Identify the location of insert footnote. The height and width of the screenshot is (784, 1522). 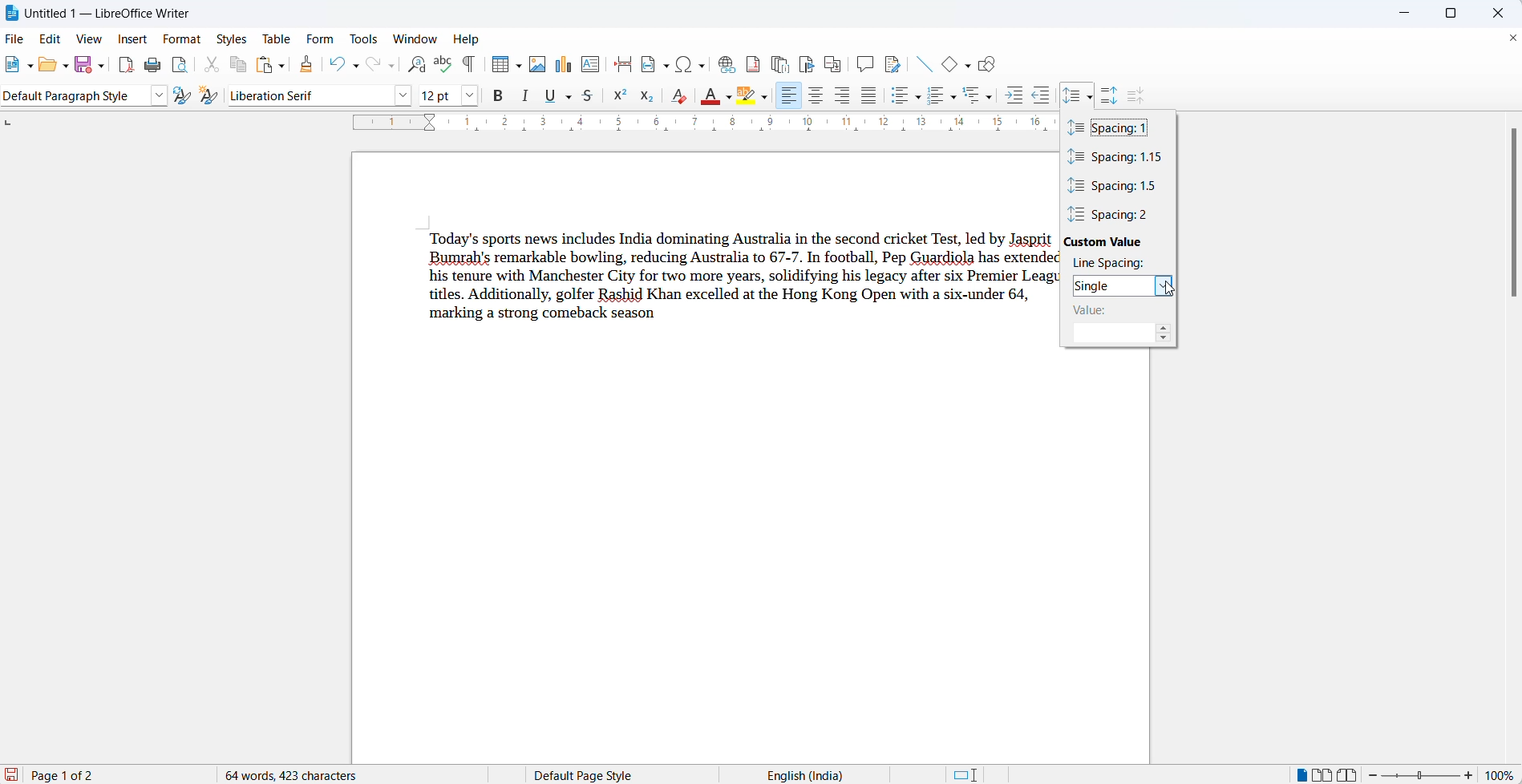
(751, 63).